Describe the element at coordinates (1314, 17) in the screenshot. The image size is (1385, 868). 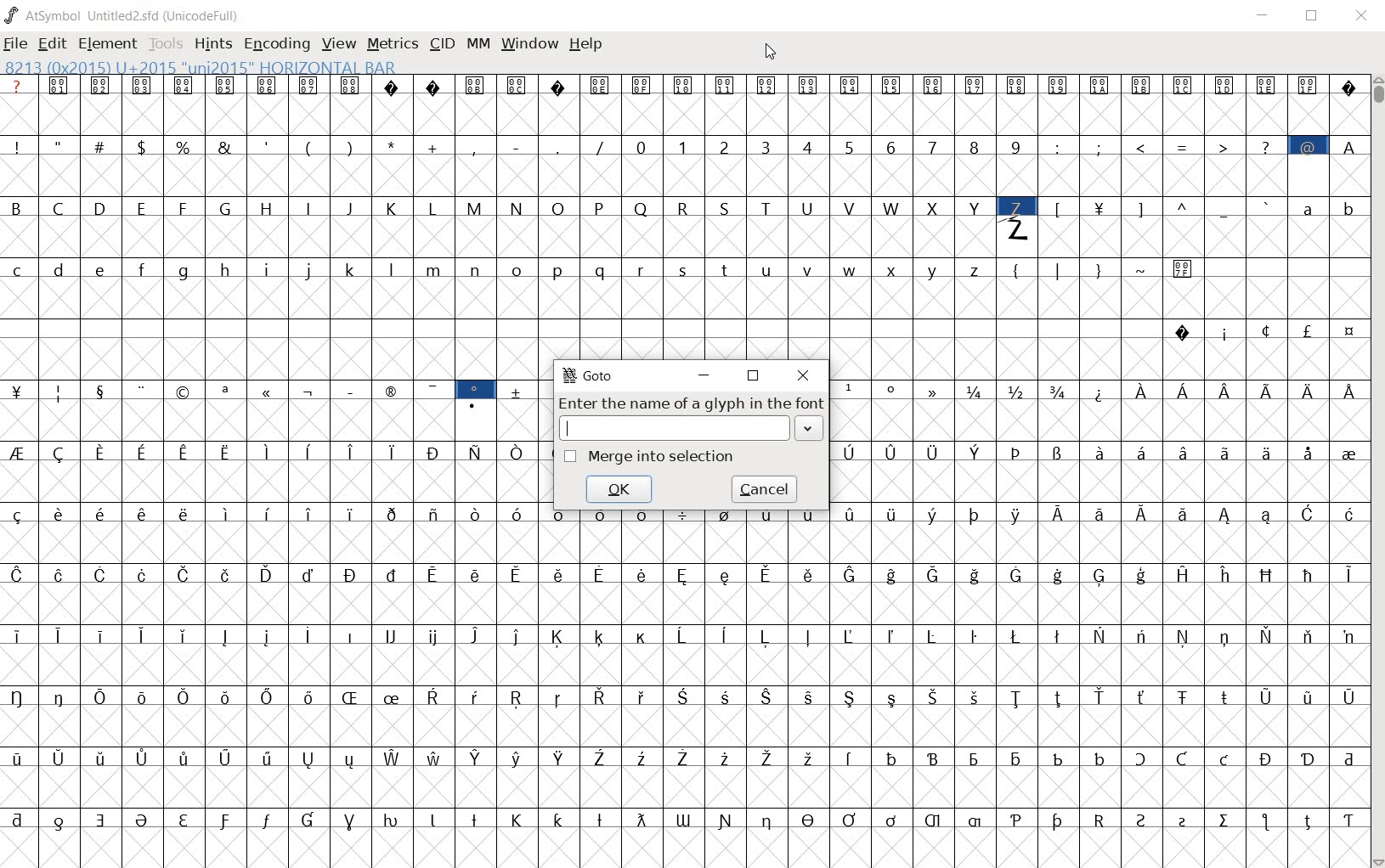
I see `RESTORE DOWN` at that location.